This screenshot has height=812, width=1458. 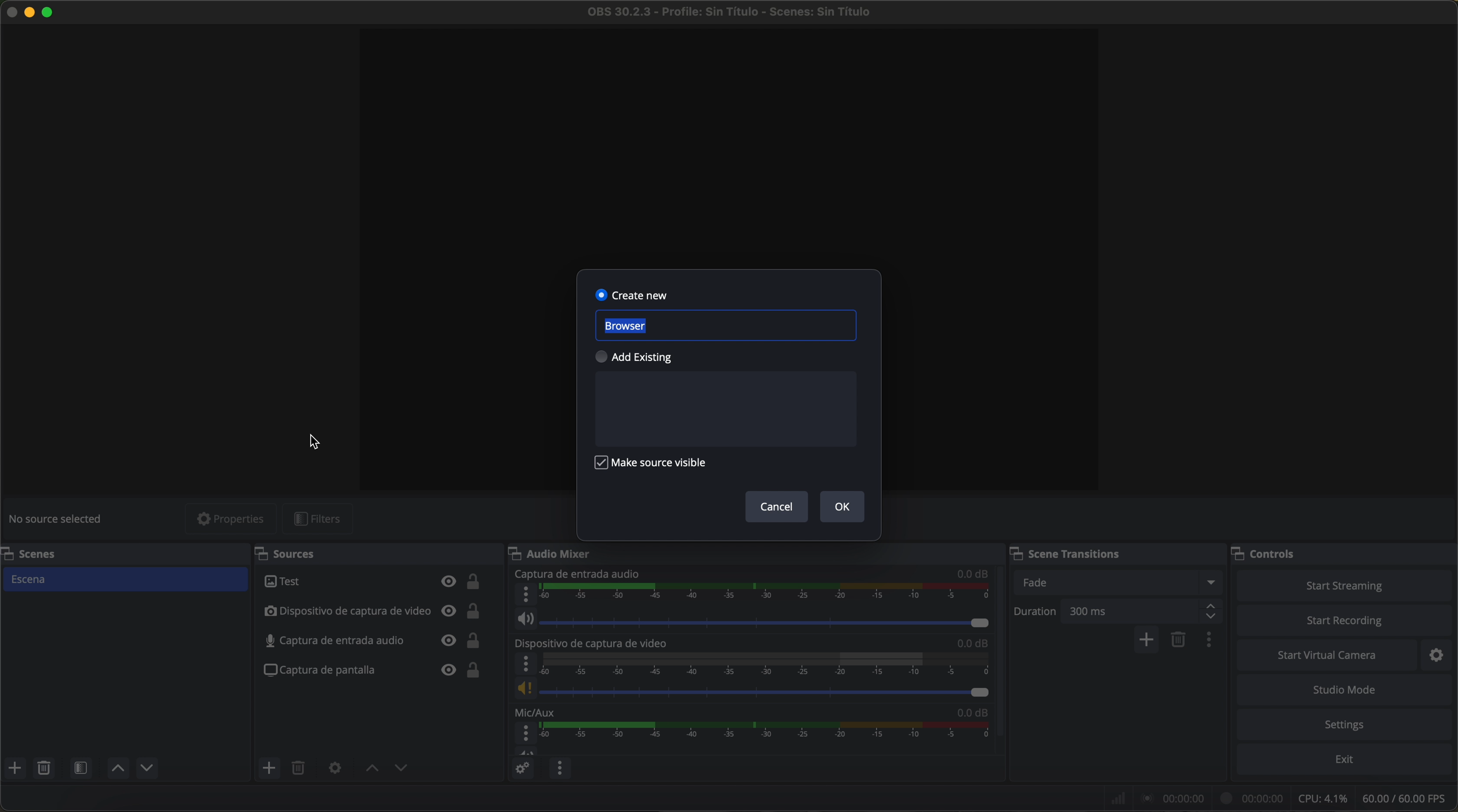 What do you see at coordinates (524, 664) in the screenshot?
I see `more options` at bounding box center [524, 664].